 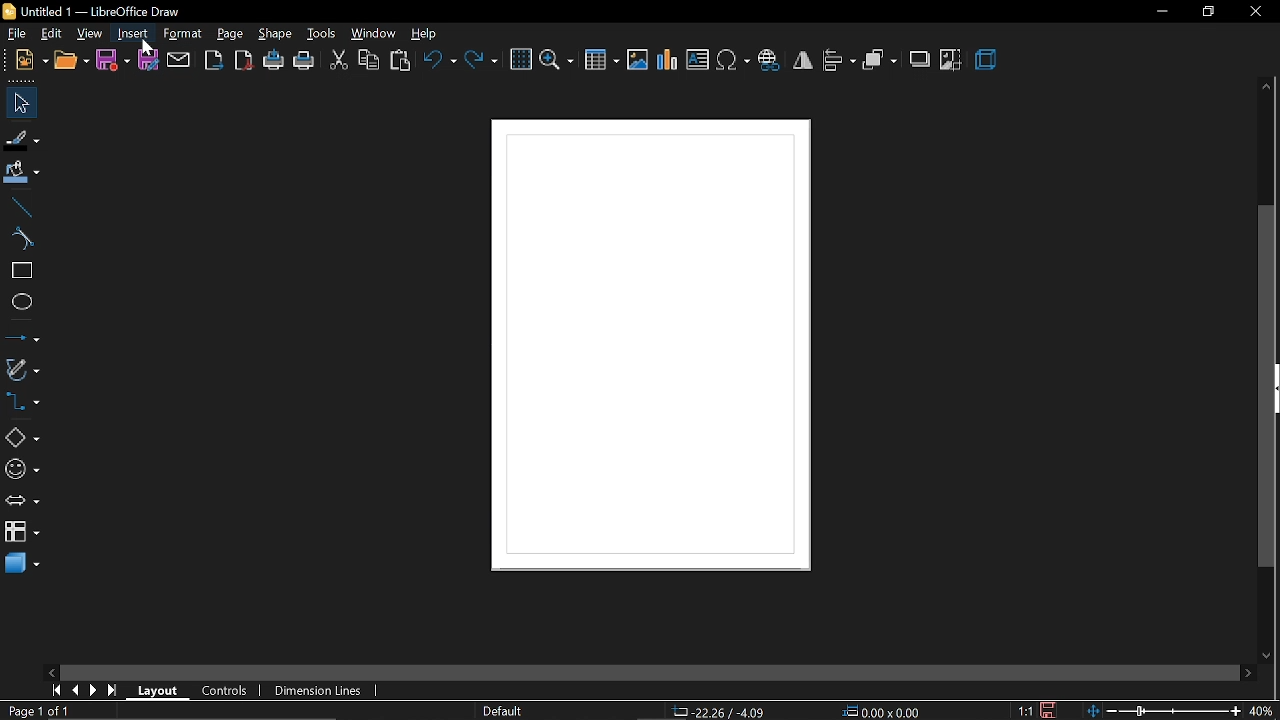 What do you see at coordinates (370, 60) in the screenshot?
I see `copy` at bounding box center [370, 60].